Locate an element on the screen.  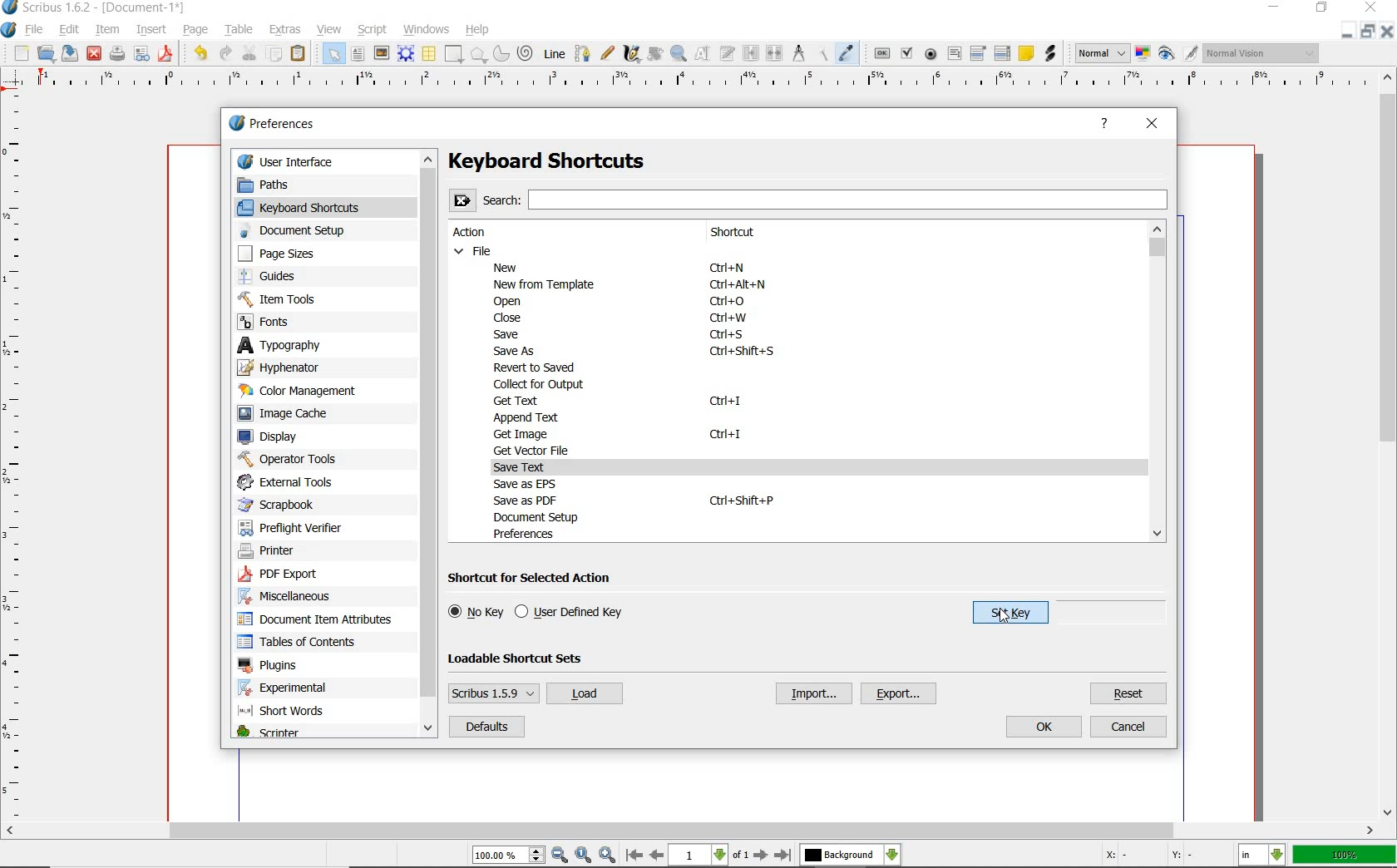
get text is located at coordinates (519, 401).